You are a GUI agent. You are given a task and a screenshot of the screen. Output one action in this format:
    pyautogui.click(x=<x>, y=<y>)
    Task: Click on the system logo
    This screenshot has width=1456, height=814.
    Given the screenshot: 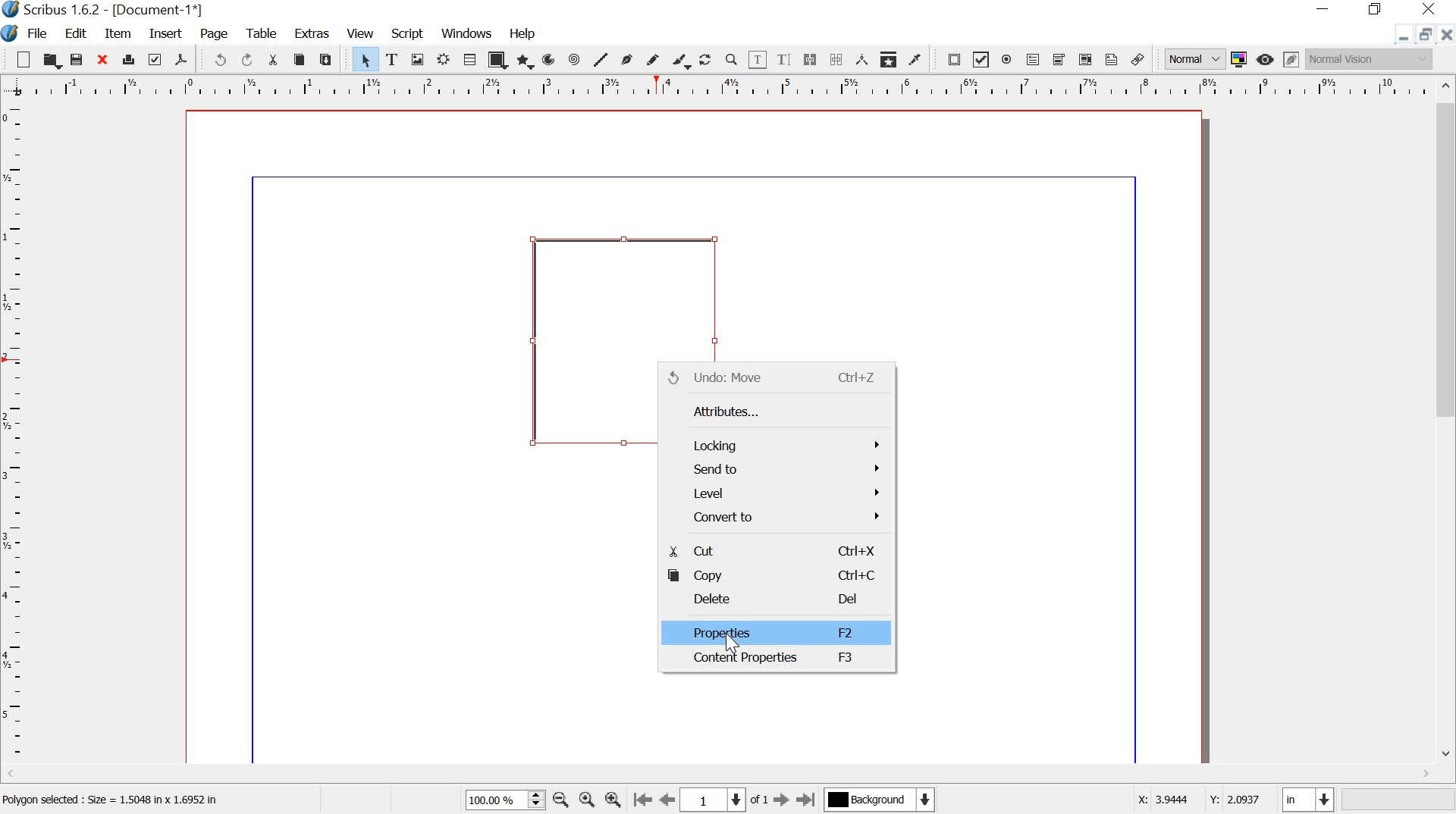 What is the action you would take?
    pyautogui.click(x=11, y=33)
    